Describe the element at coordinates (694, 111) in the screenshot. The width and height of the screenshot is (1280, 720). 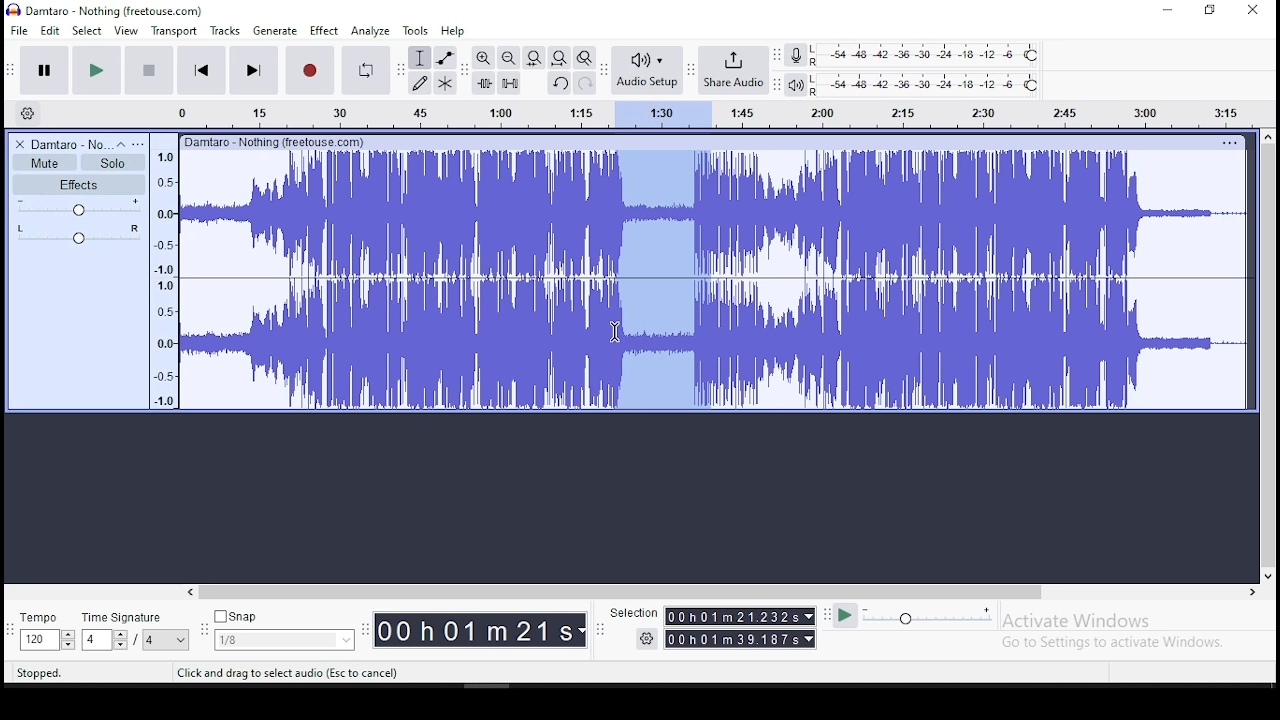
I see `Audio bar` at that location.